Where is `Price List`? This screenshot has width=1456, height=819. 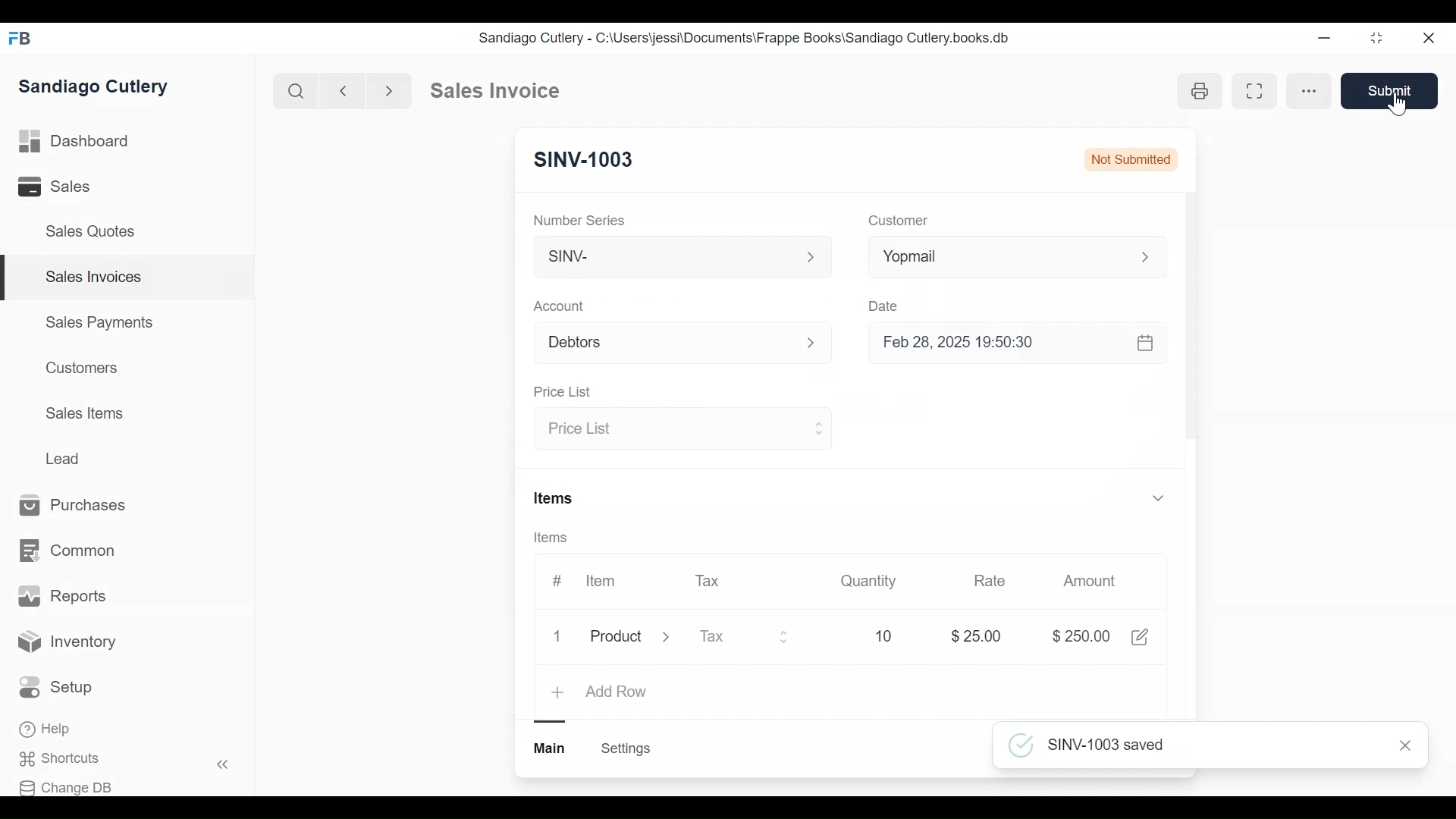
Price List is located at coordinates (566, 392).